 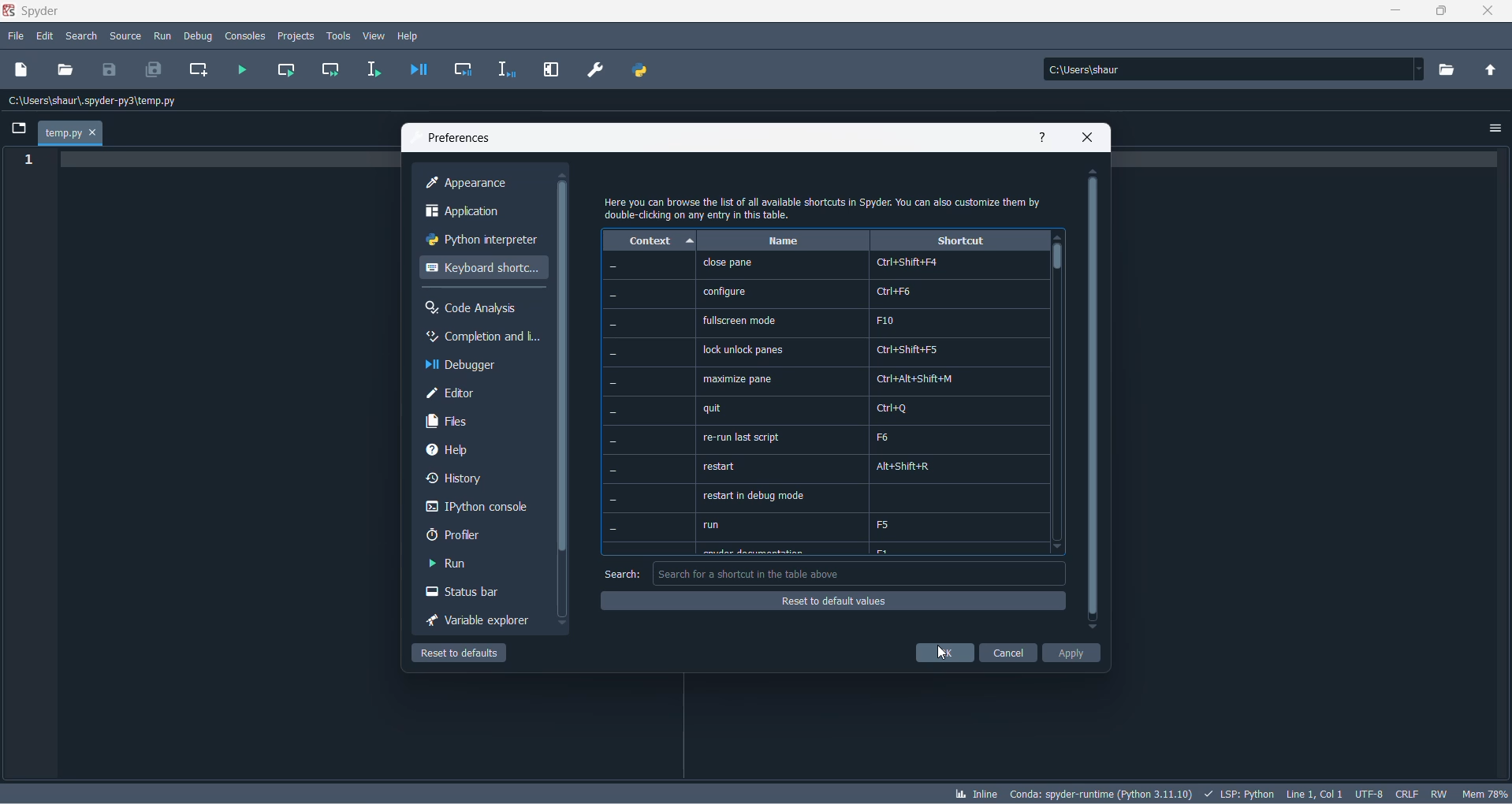 I want to click on completion, so click(x=481, y=338).